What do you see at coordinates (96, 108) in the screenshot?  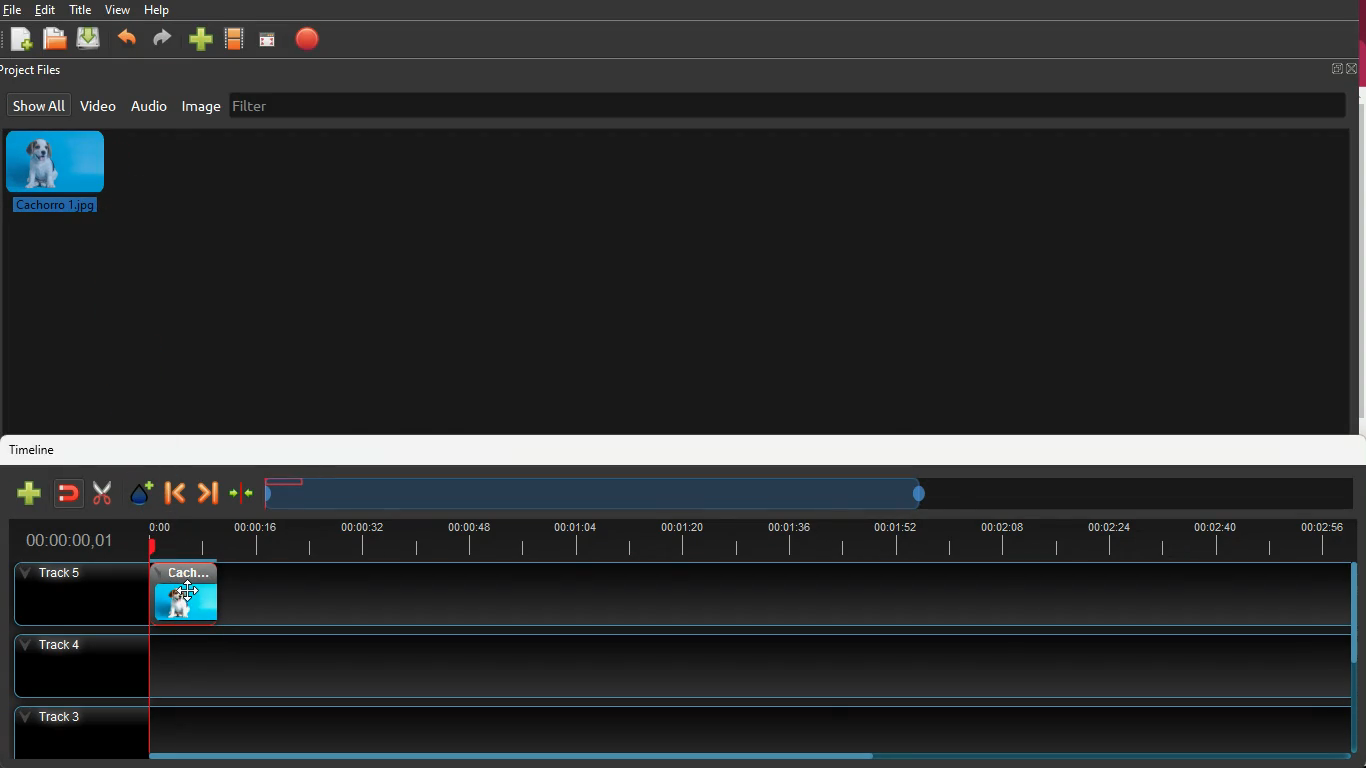 I see `video` at bounding box center [96, 108].